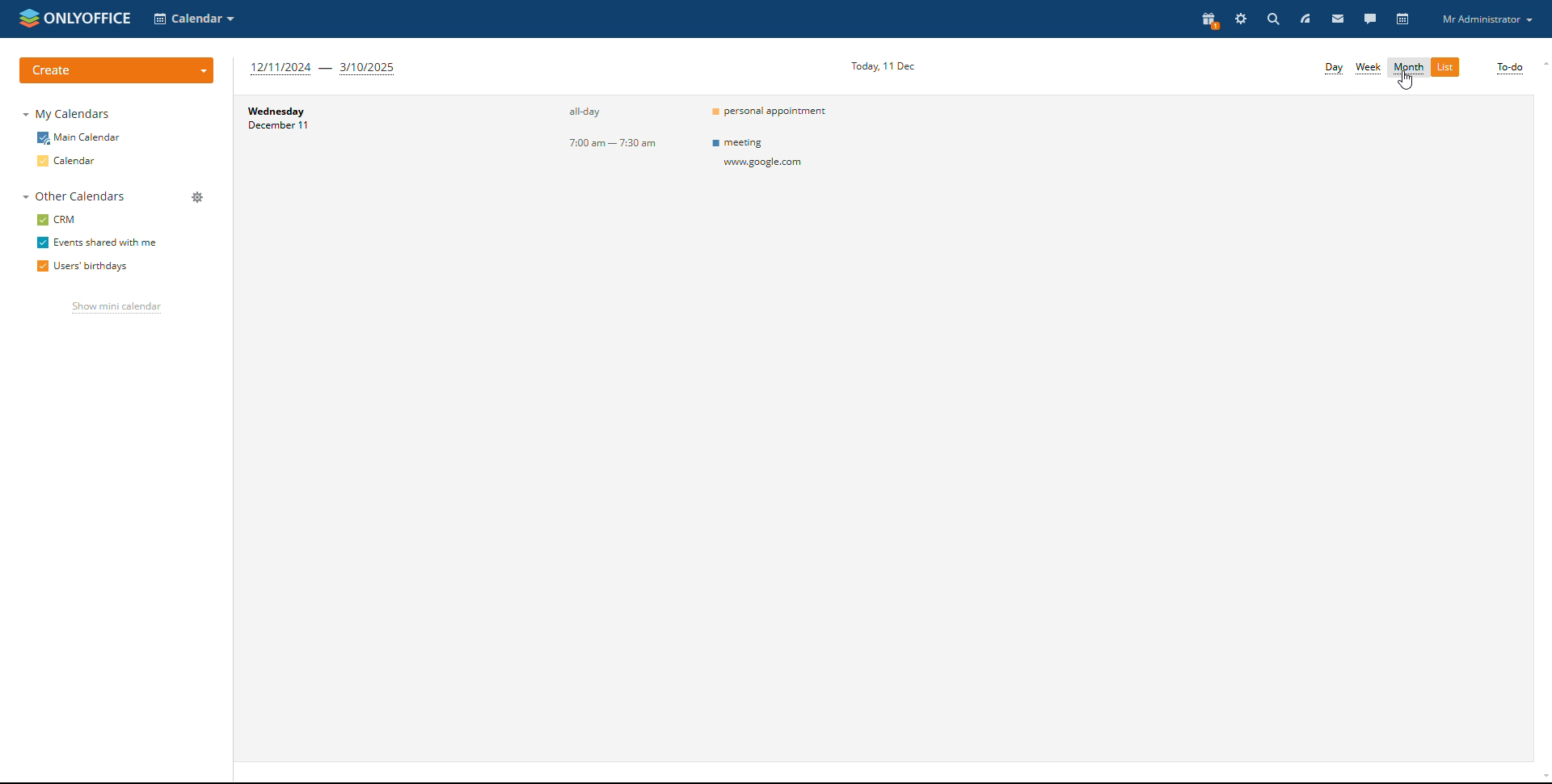 This screenshot has width=1552, height=784. What do you see at coordinates (776, 156) in the screenshot?
I see `meeting` at bounding box center [776, 156].